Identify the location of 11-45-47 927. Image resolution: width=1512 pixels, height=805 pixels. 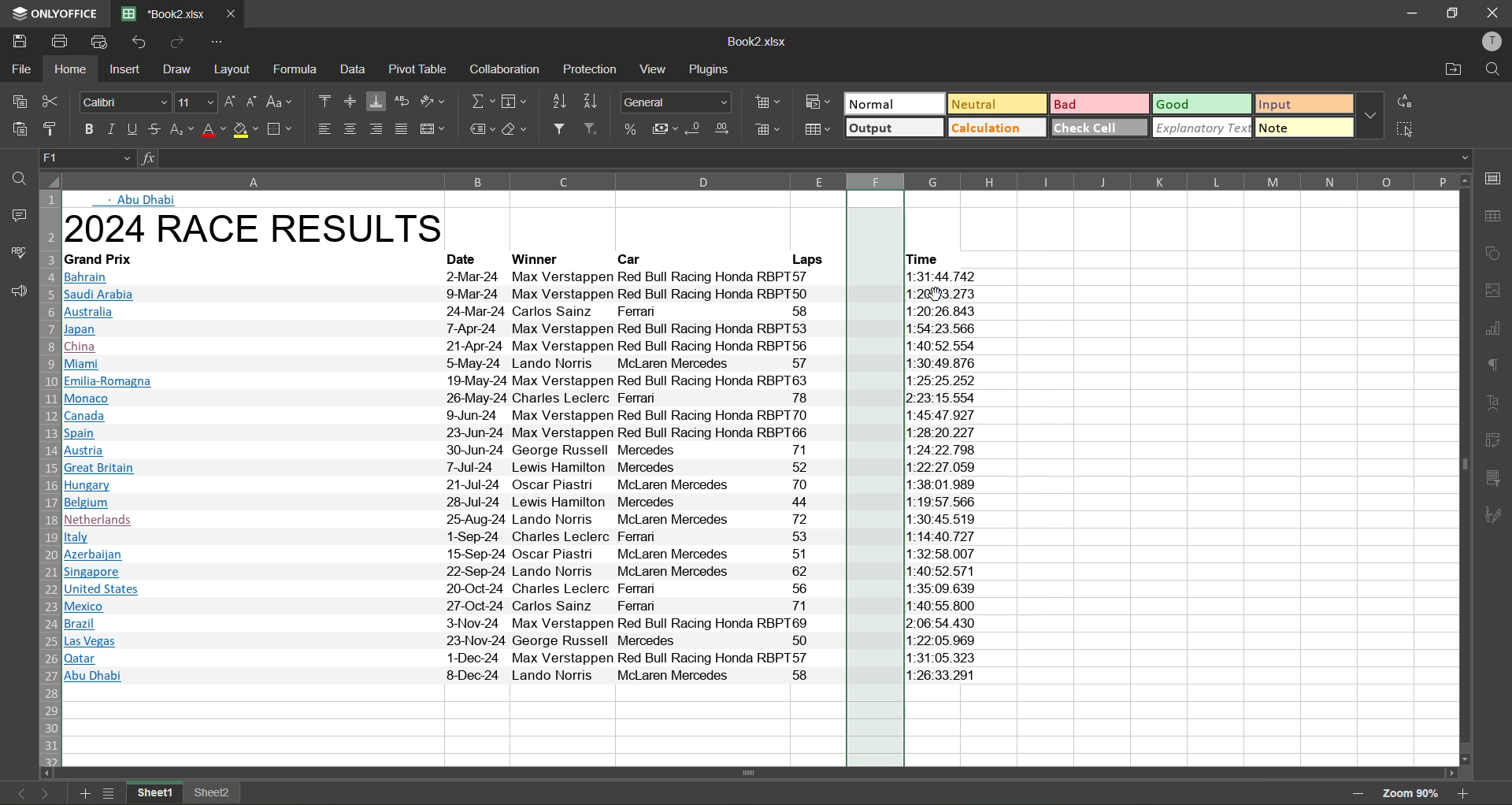
(951, 414).